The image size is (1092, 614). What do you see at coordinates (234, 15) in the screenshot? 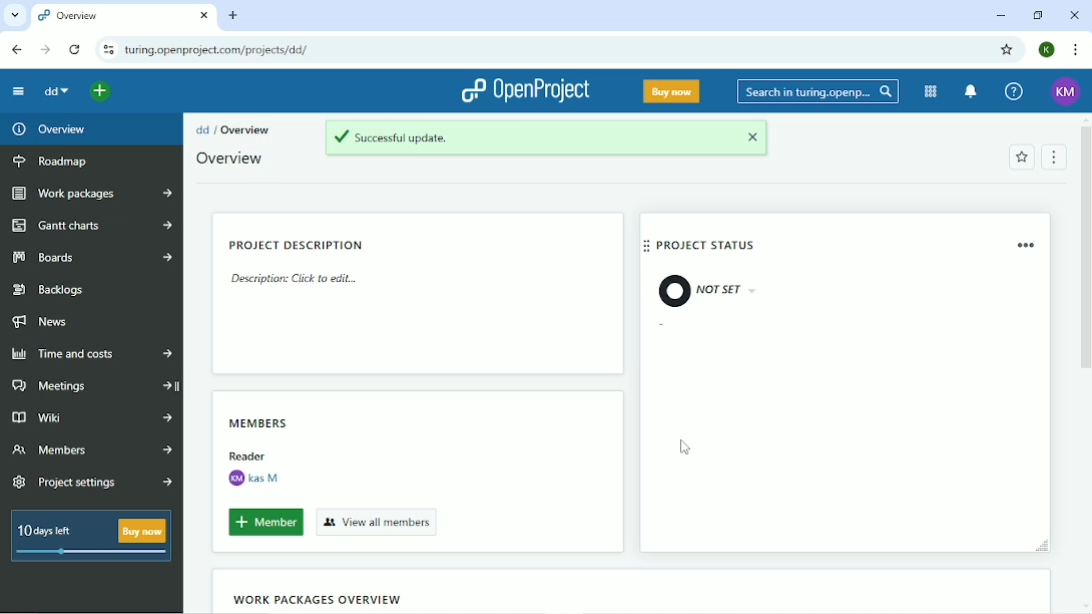
I see `New tab` at bounding box center [234, 15].